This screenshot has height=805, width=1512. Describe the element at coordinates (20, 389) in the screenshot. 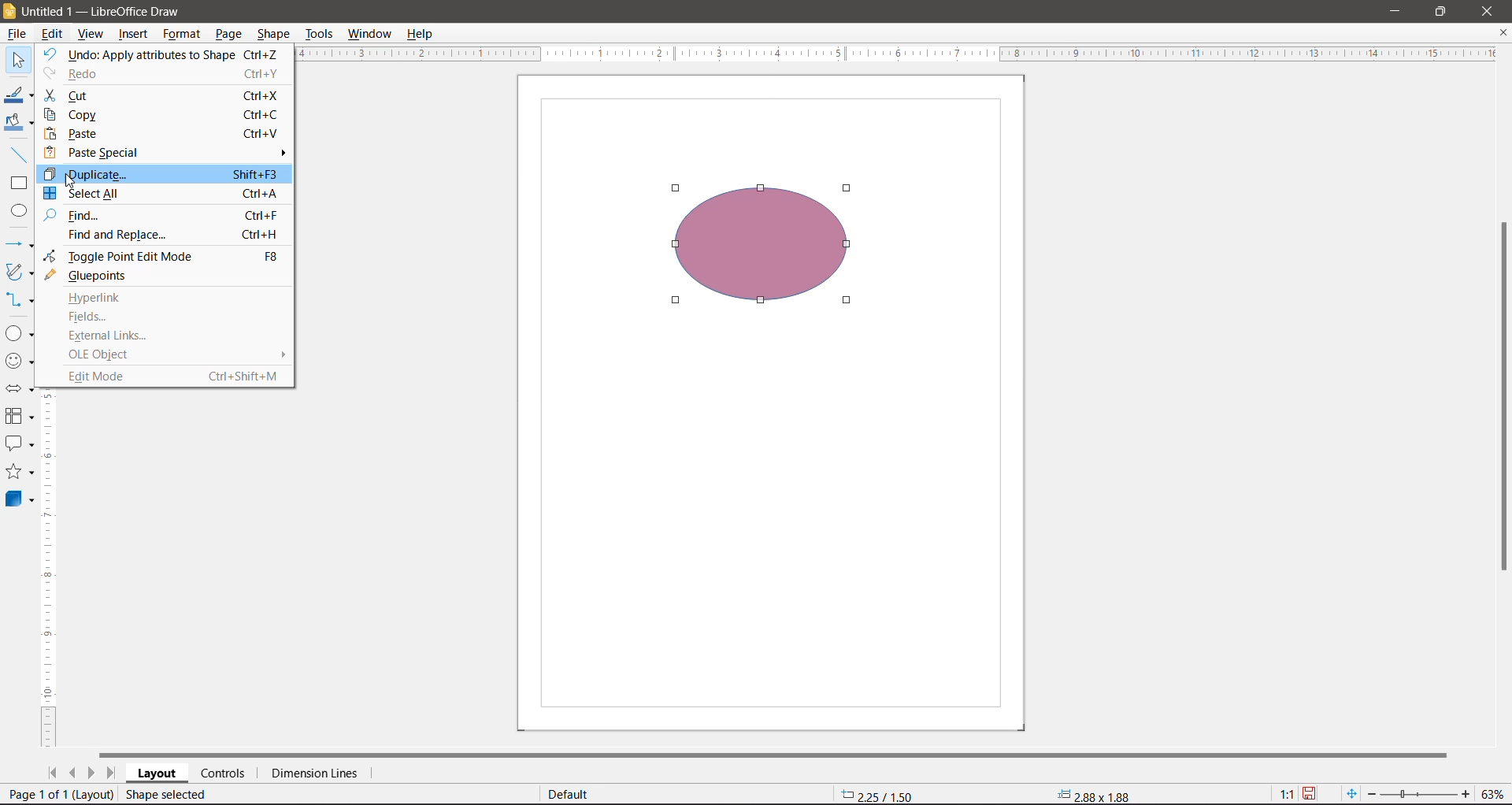

I see `Block Arrows` at that location.